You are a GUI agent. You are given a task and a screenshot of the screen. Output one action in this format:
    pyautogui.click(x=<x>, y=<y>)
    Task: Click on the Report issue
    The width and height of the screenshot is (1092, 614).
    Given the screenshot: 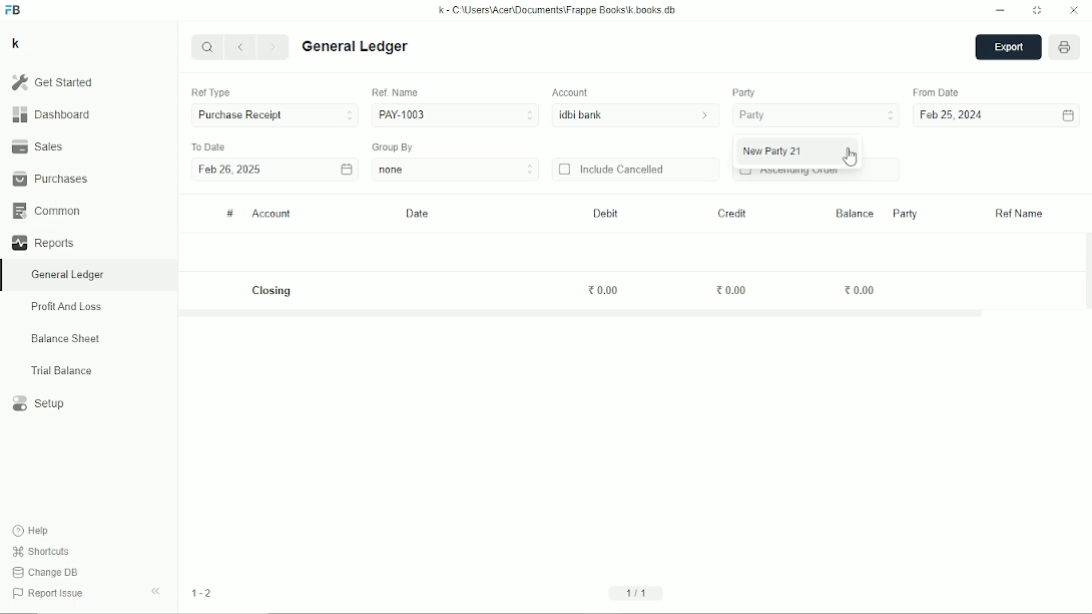 What is the action you would take?
    pyautogui.click(x=51, y=595)
    